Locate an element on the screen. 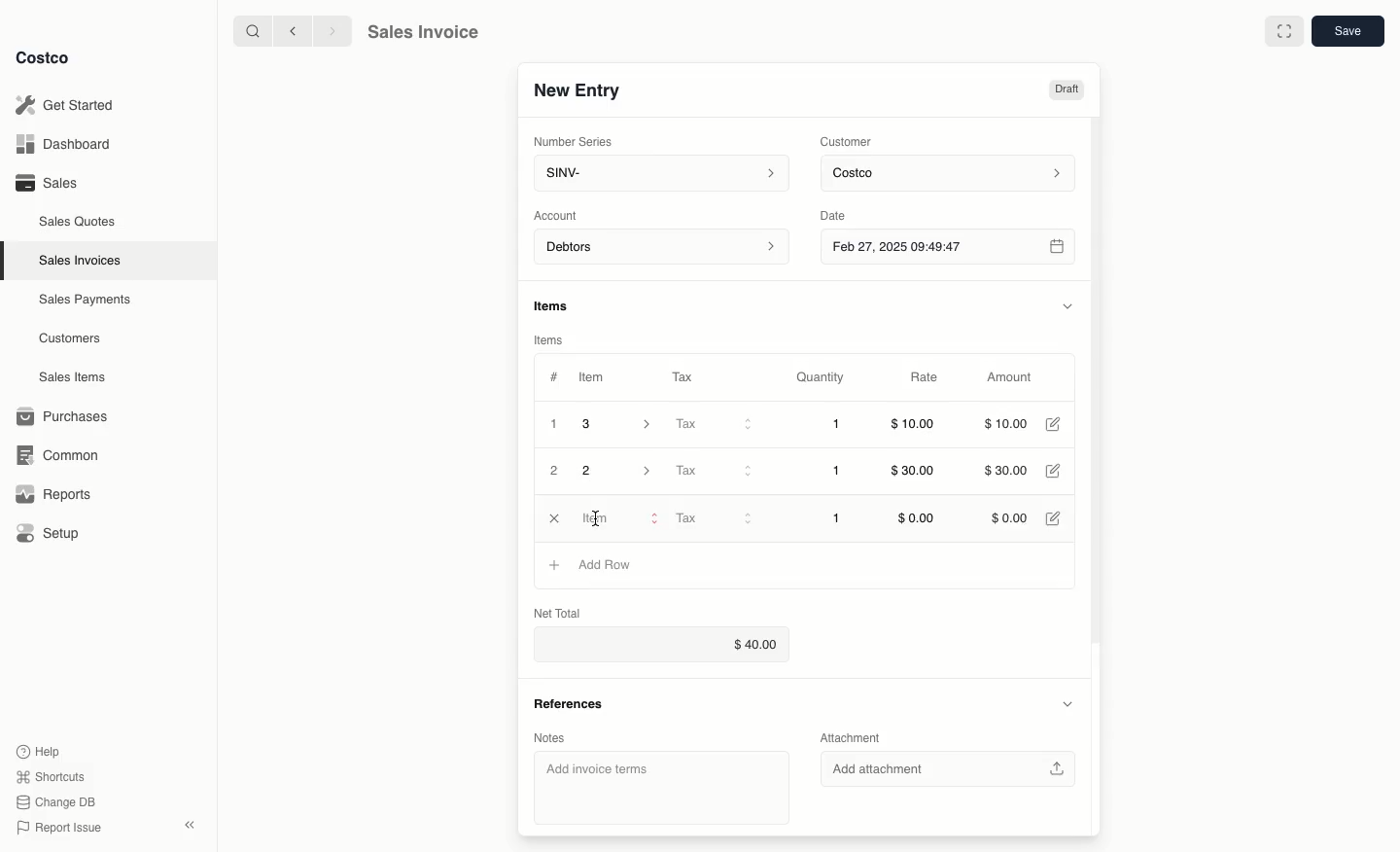 This screenshot has width=1400, height=852. Full width toggle is located at coordinates (1283, 31).